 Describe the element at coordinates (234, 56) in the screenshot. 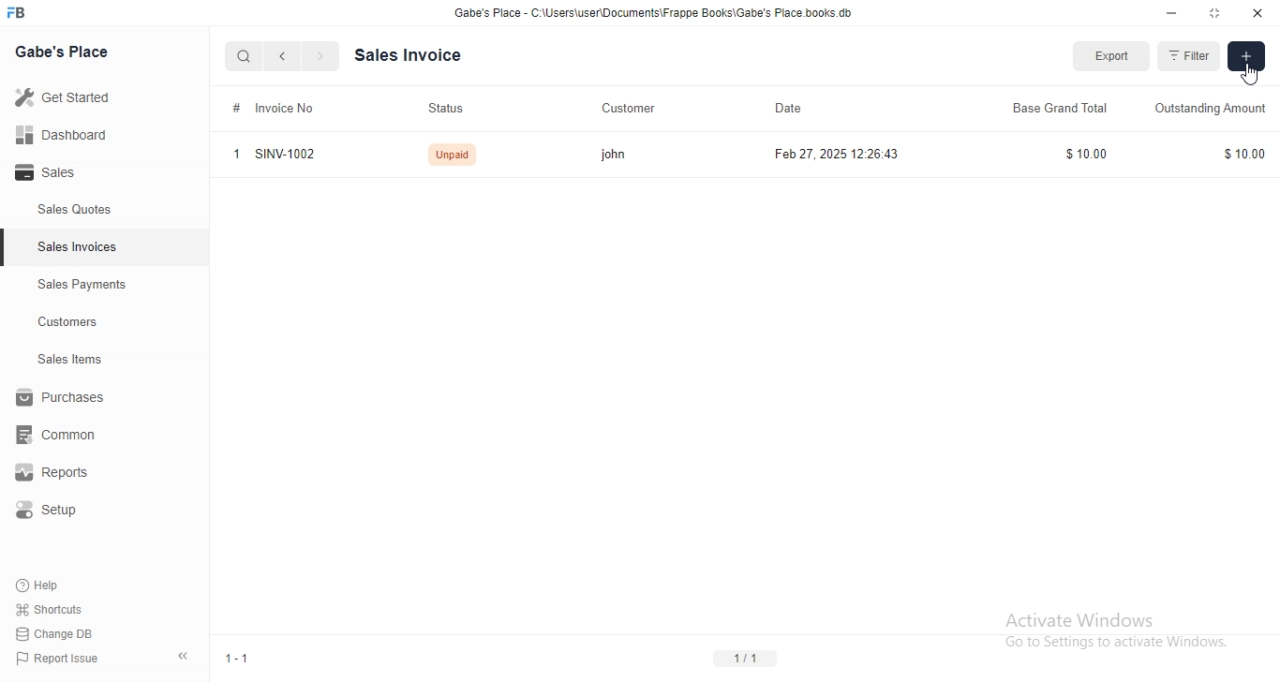

I see `cursor` at that location.